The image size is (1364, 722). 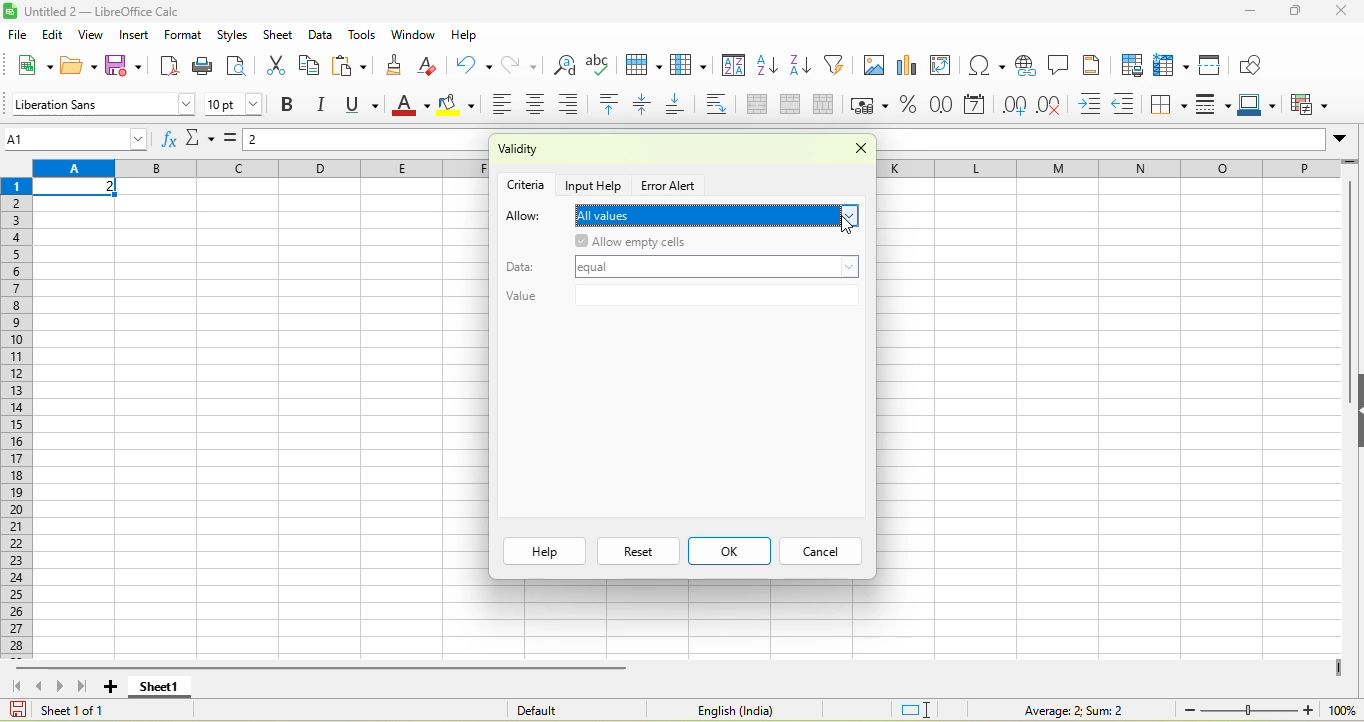 What do you see at coordinates (846, 227) in the screenshot?
I see `cursor movement` at bounding box center [846, 227].